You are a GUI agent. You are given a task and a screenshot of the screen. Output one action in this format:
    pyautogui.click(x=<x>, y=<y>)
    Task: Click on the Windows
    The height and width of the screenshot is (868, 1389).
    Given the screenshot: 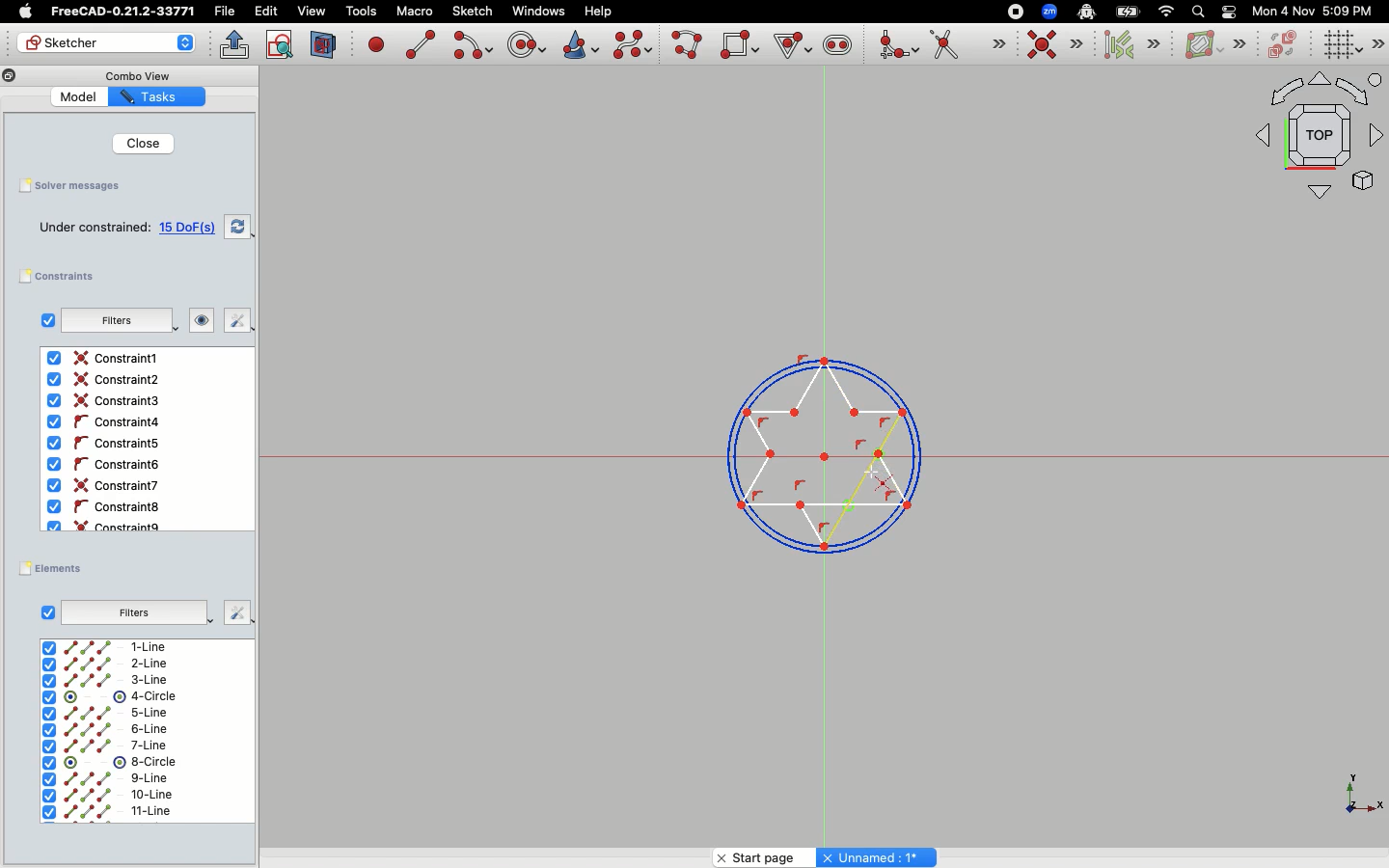 What is the action you would take?
    pyautogui.click(x=538, y=12)
    